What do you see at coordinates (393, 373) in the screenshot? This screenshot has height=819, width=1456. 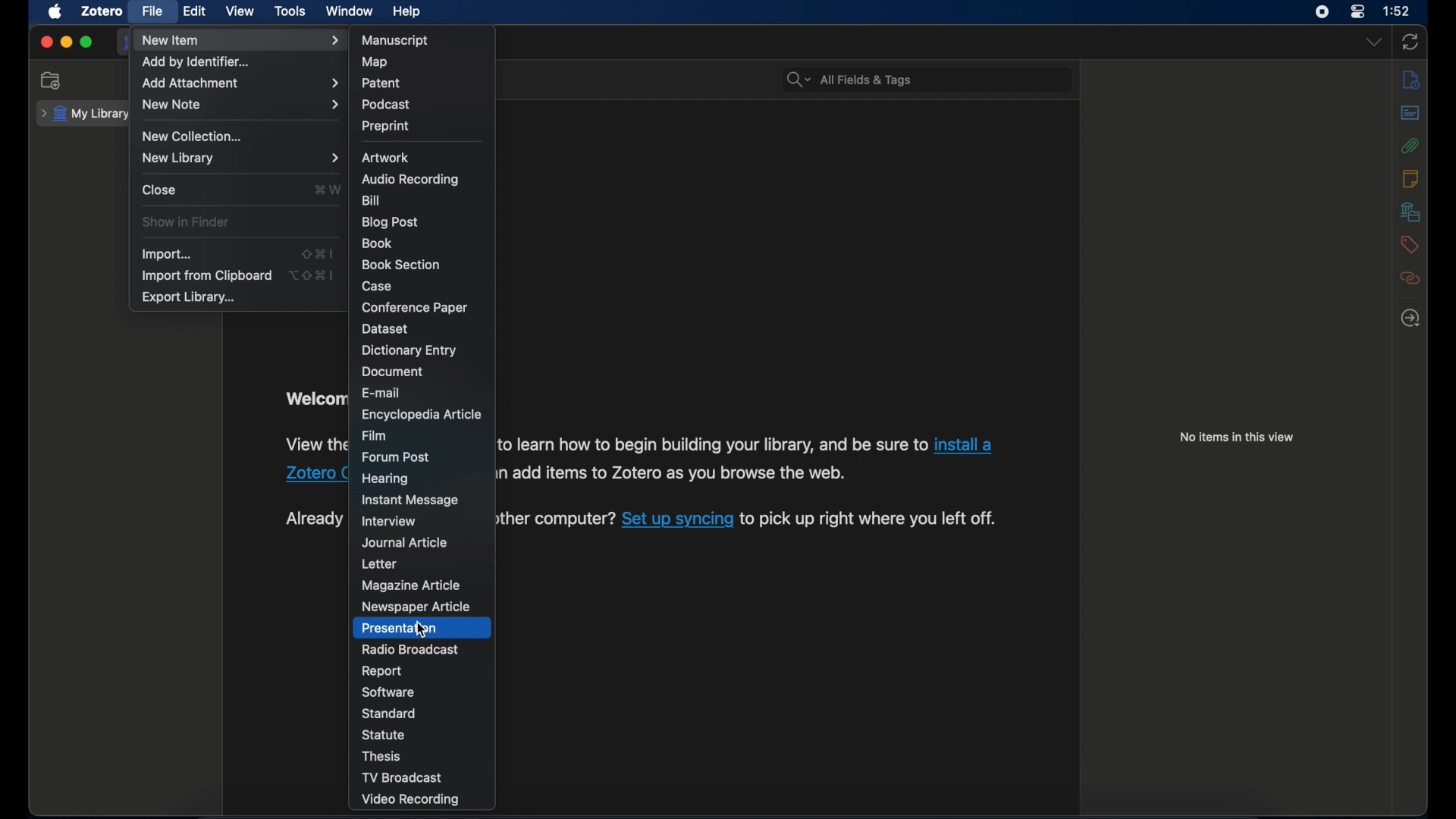 I see `document` at bounding box center [393, 373].